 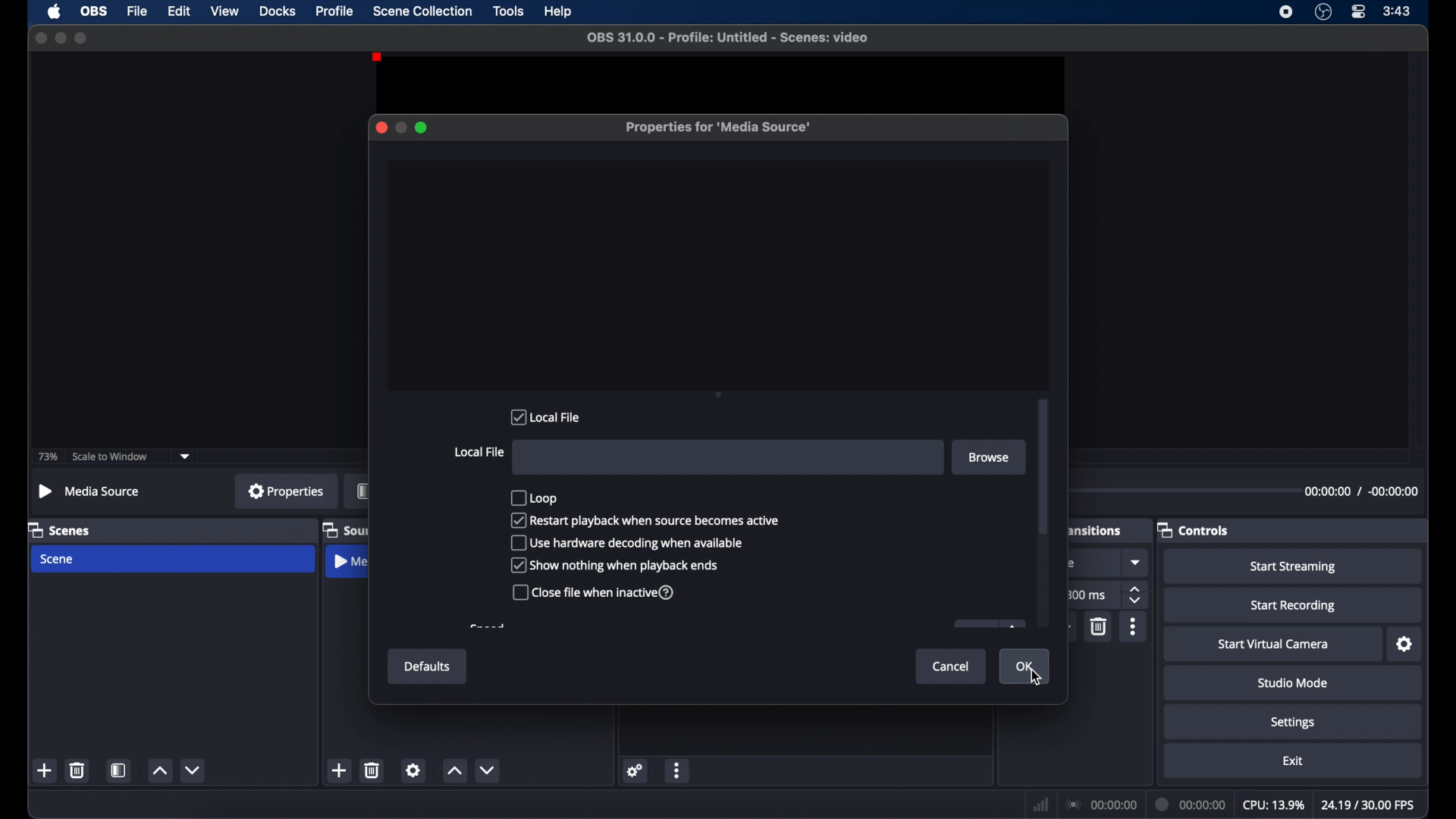 I want to click on delete, so click(x=1100, y=627).